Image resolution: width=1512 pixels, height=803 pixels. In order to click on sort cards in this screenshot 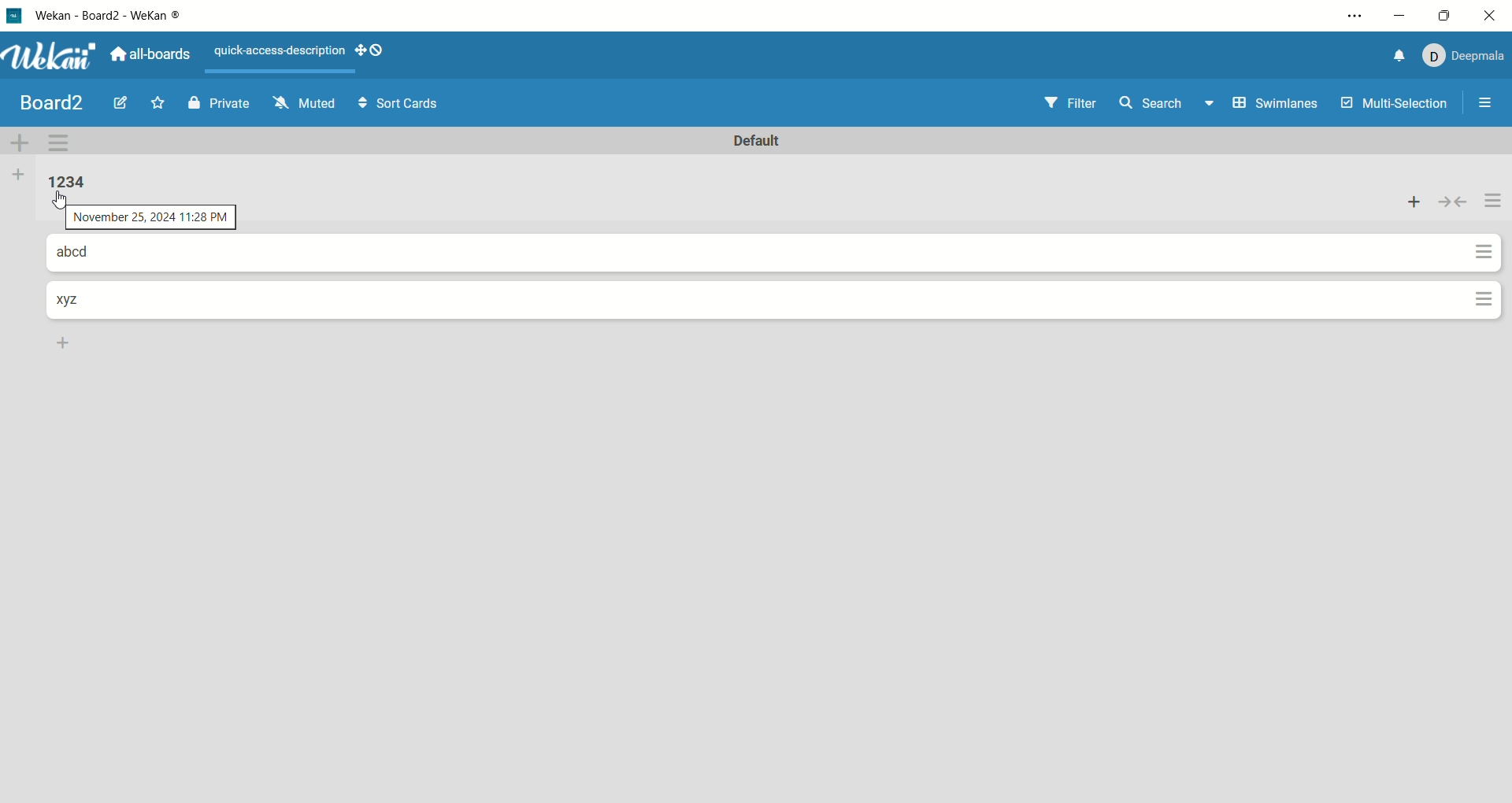, I will do `click(395, 104)`.